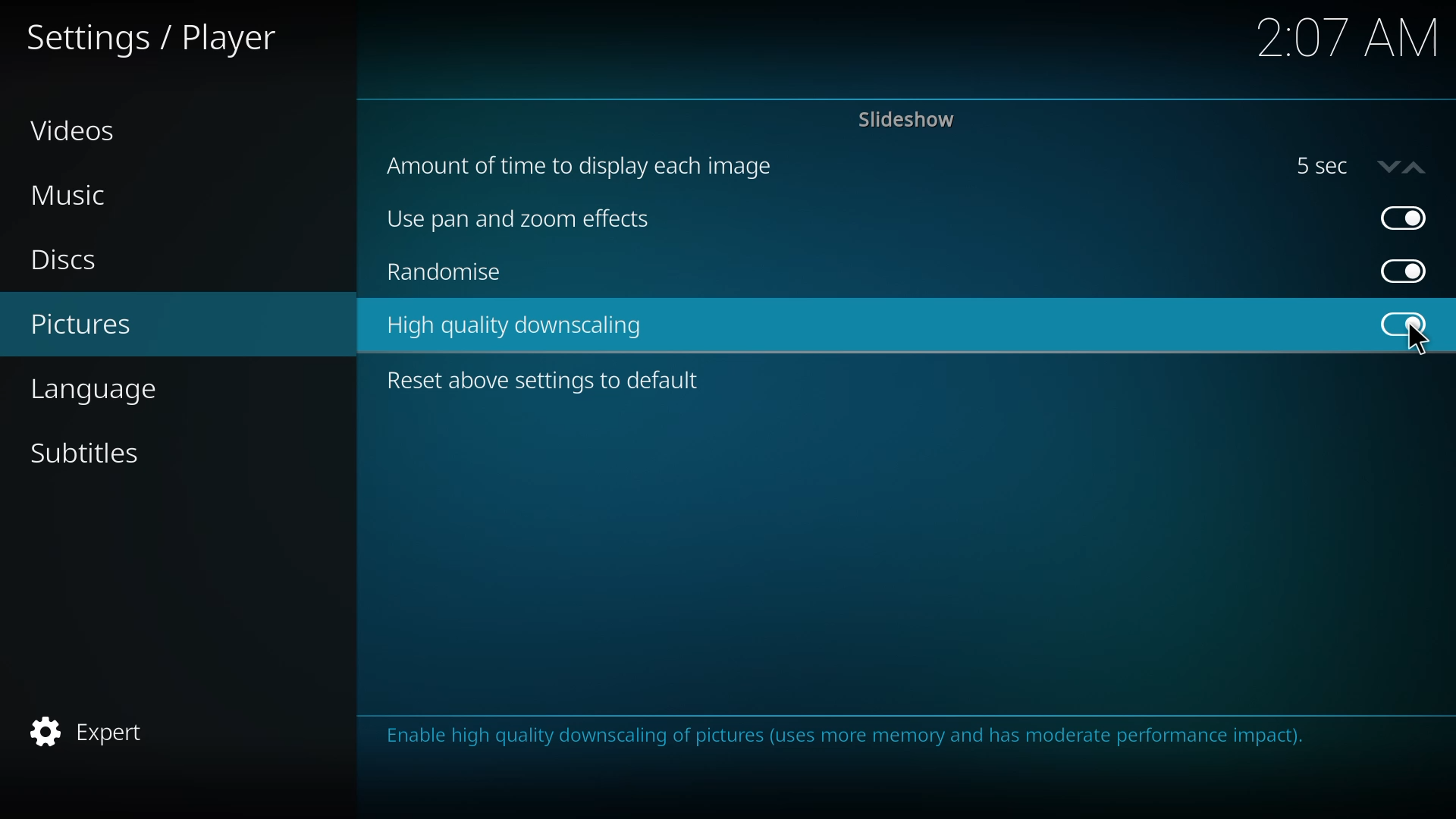  What do you see at coordinates (908, 120) in the screenshot?
I see `slideshow` at bounding box center [908, 120].